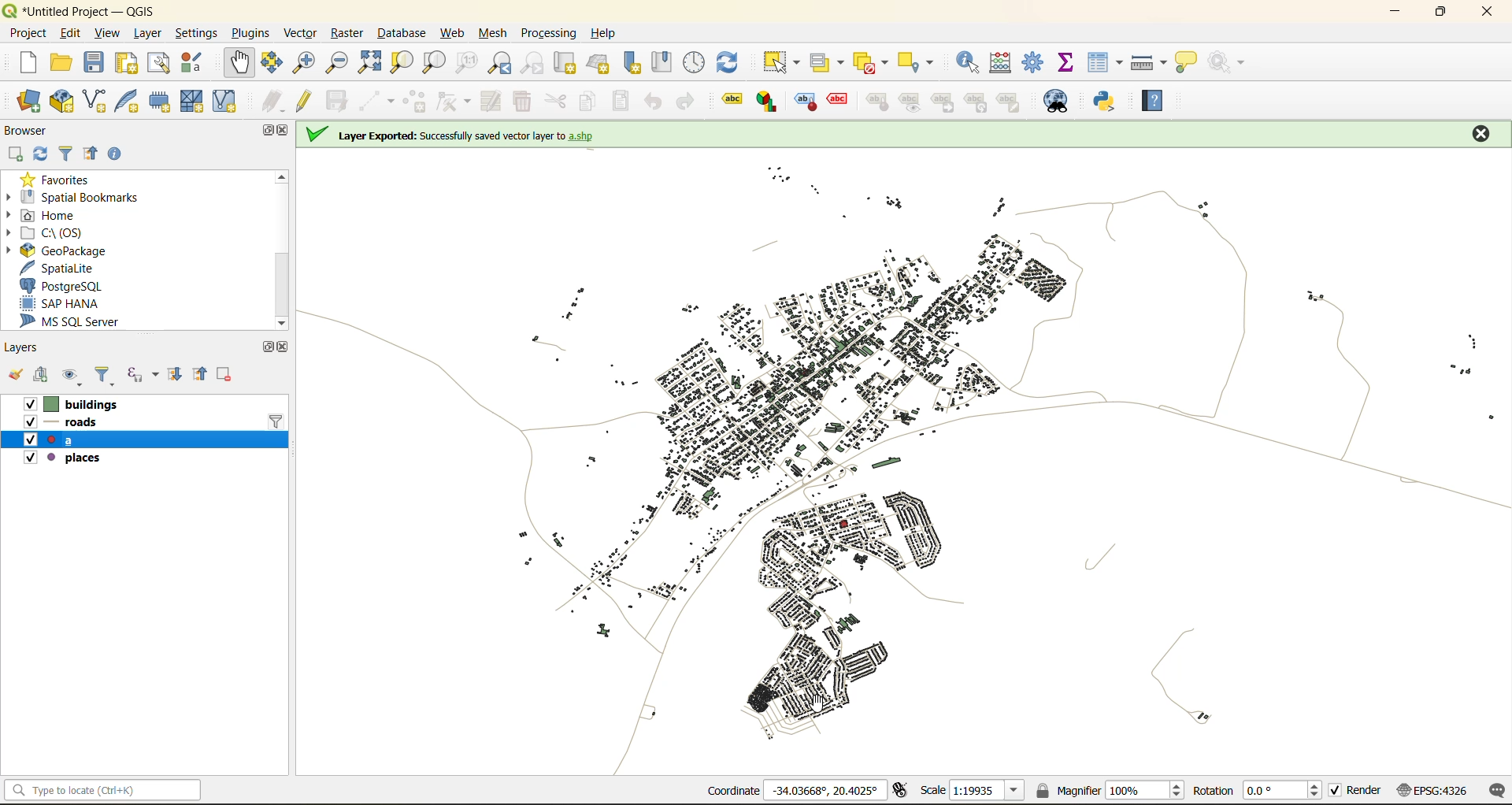 The width and height of the screenshot is (1512, 805). What do you see at coordinates (637, 63) in the screenshot?
I see `new spatial bookmark` at bounding box center [637, 63].